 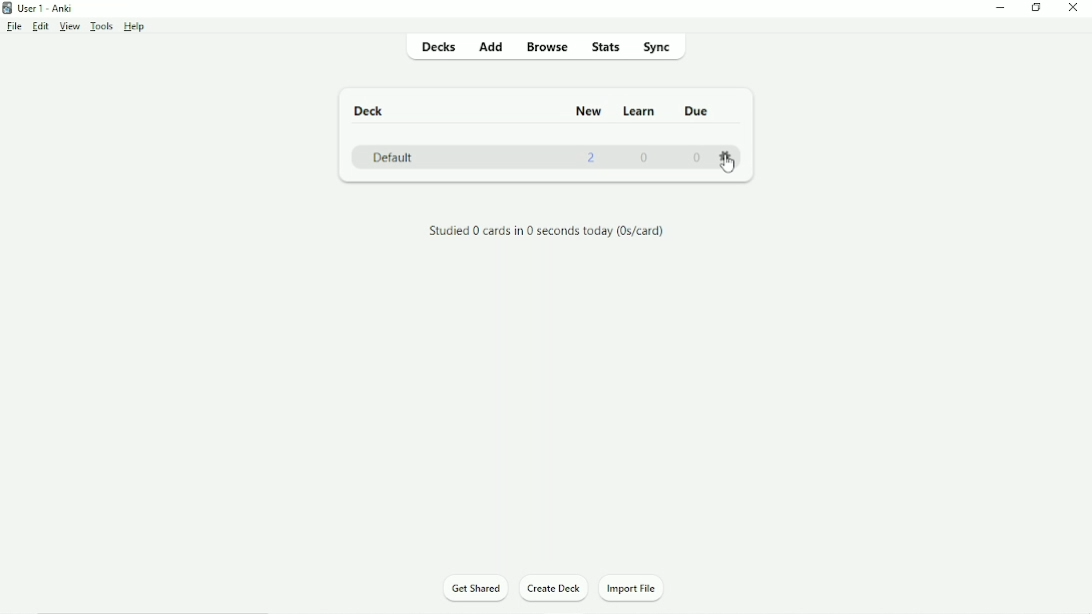 What do you see at coordinates (101, 26) in the screenshot?
I see `Tools` at bounding box center [101, 26].